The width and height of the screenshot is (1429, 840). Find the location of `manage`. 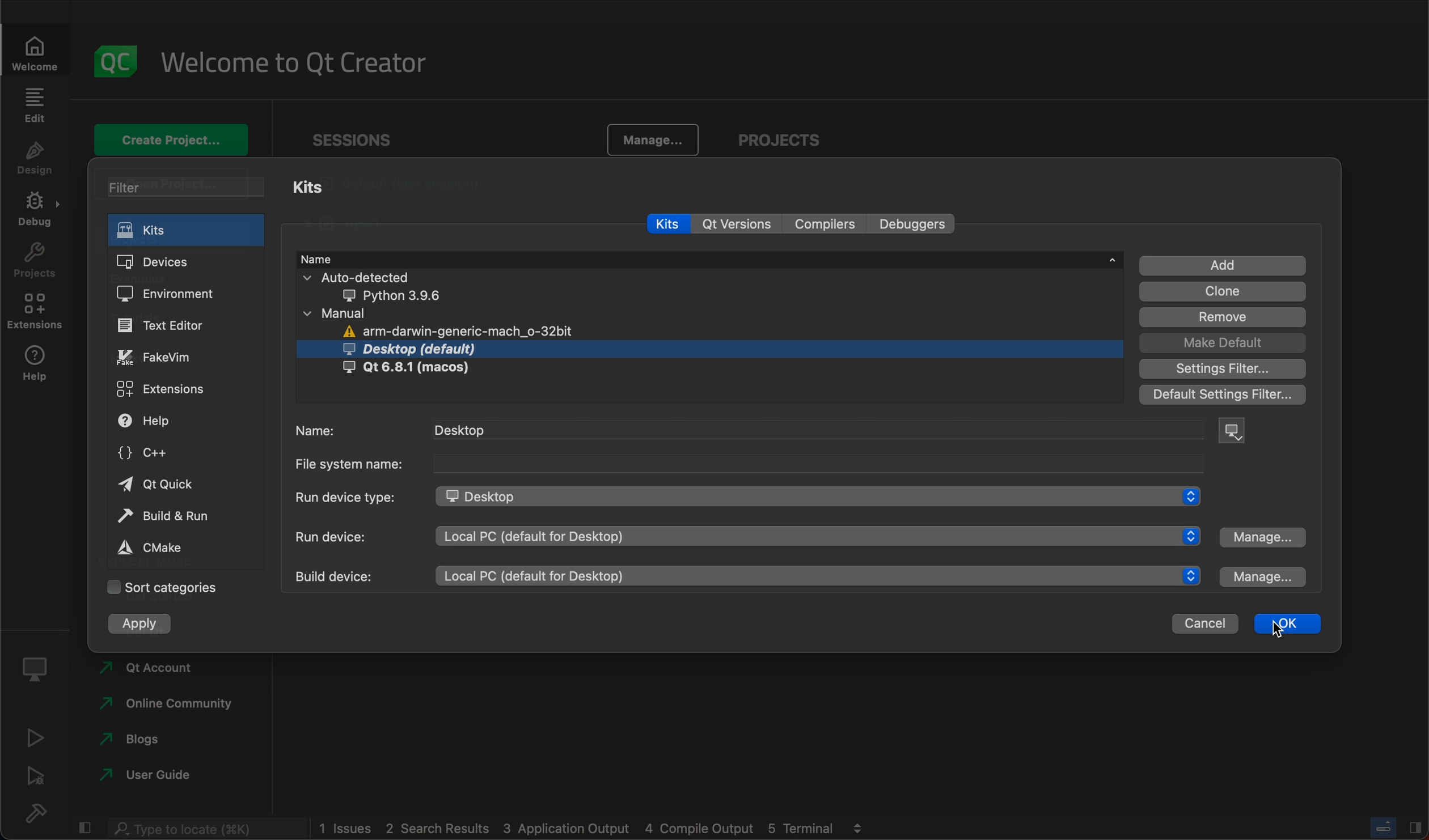

manage is located at coordinates (653, 138).